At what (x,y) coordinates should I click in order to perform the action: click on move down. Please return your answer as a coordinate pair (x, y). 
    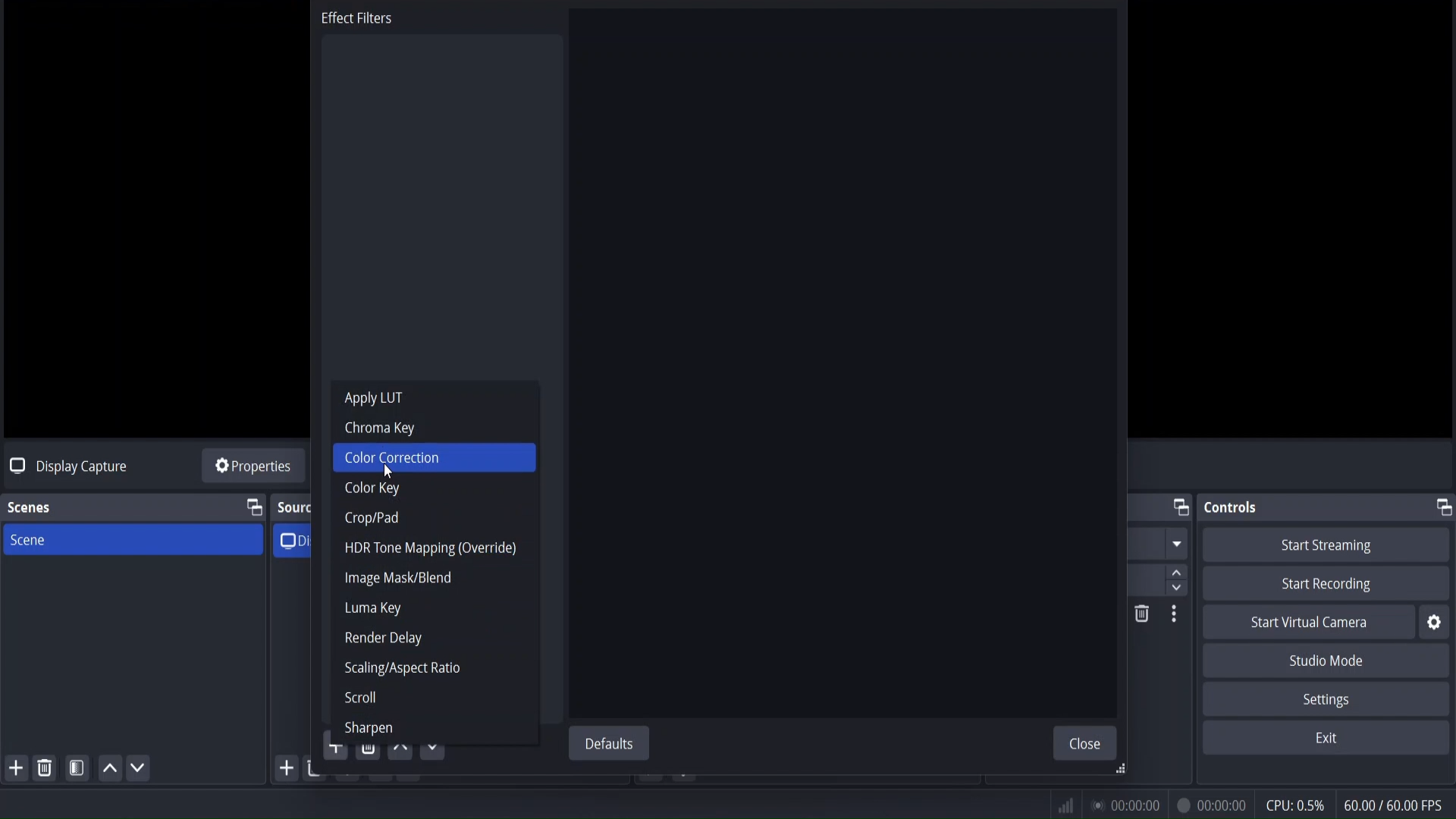
    Looking at the image, I should click on (435, 744).